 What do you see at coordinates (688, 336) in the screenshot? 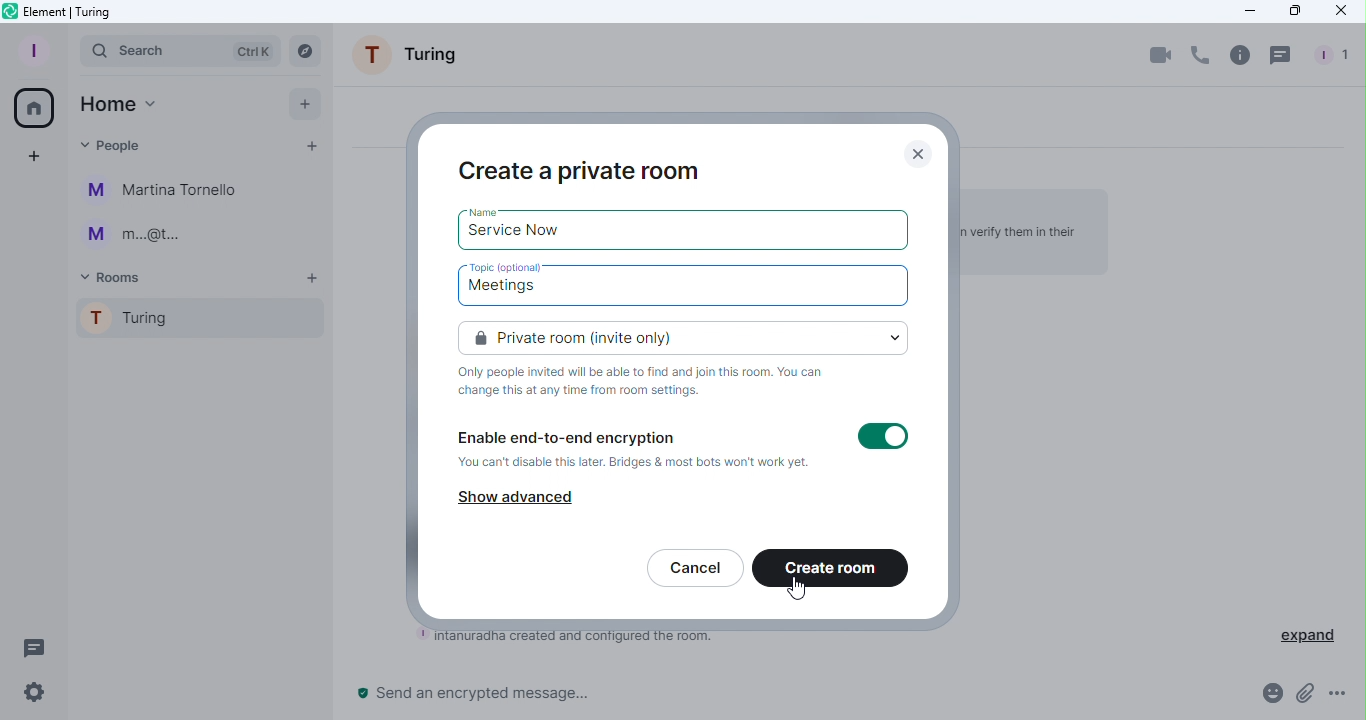
I see `Private room` at bounding box center [688, 336].